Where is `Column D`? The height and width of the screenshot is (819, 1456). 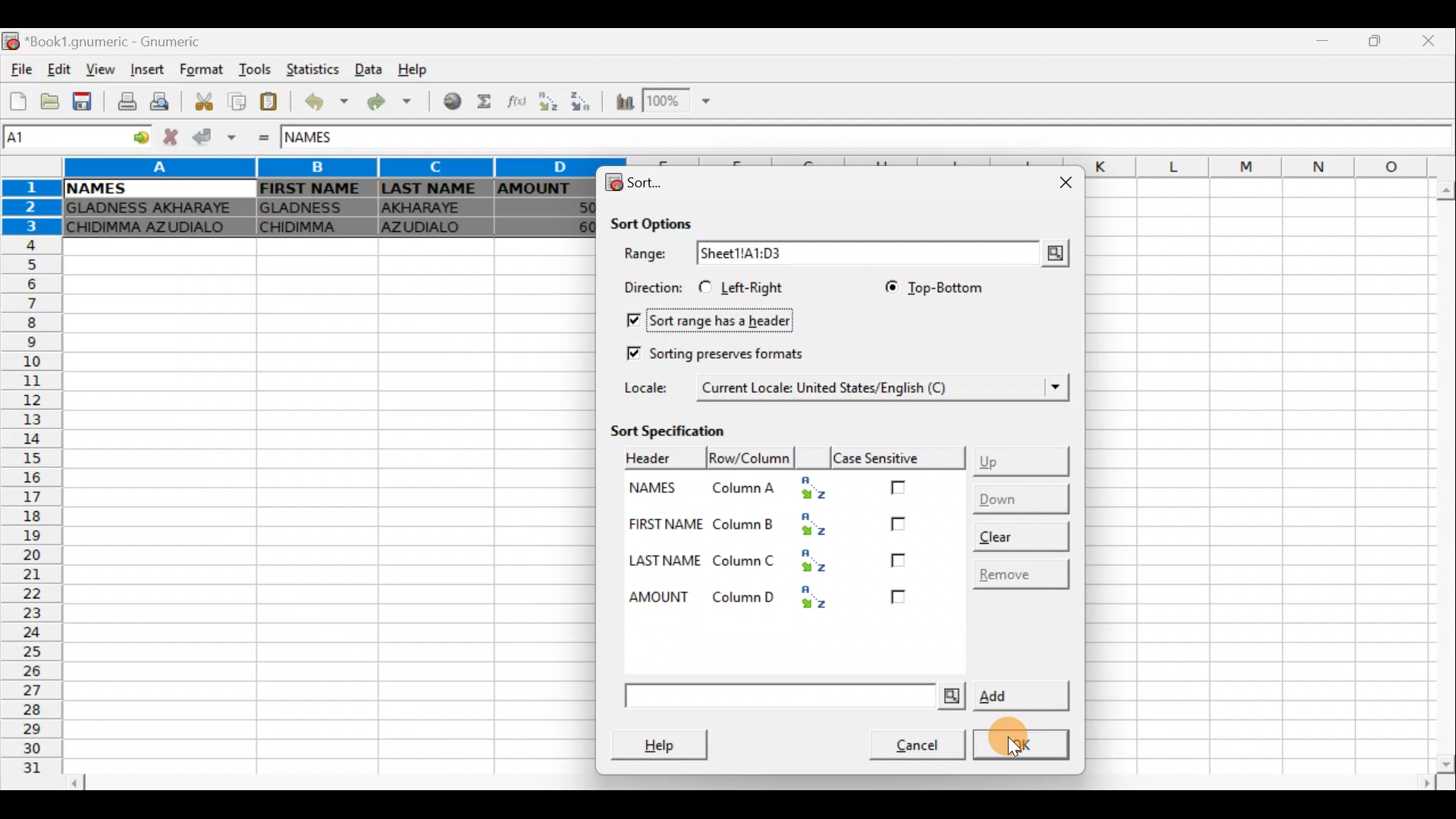
Column D is located at coordinates (780, 596).